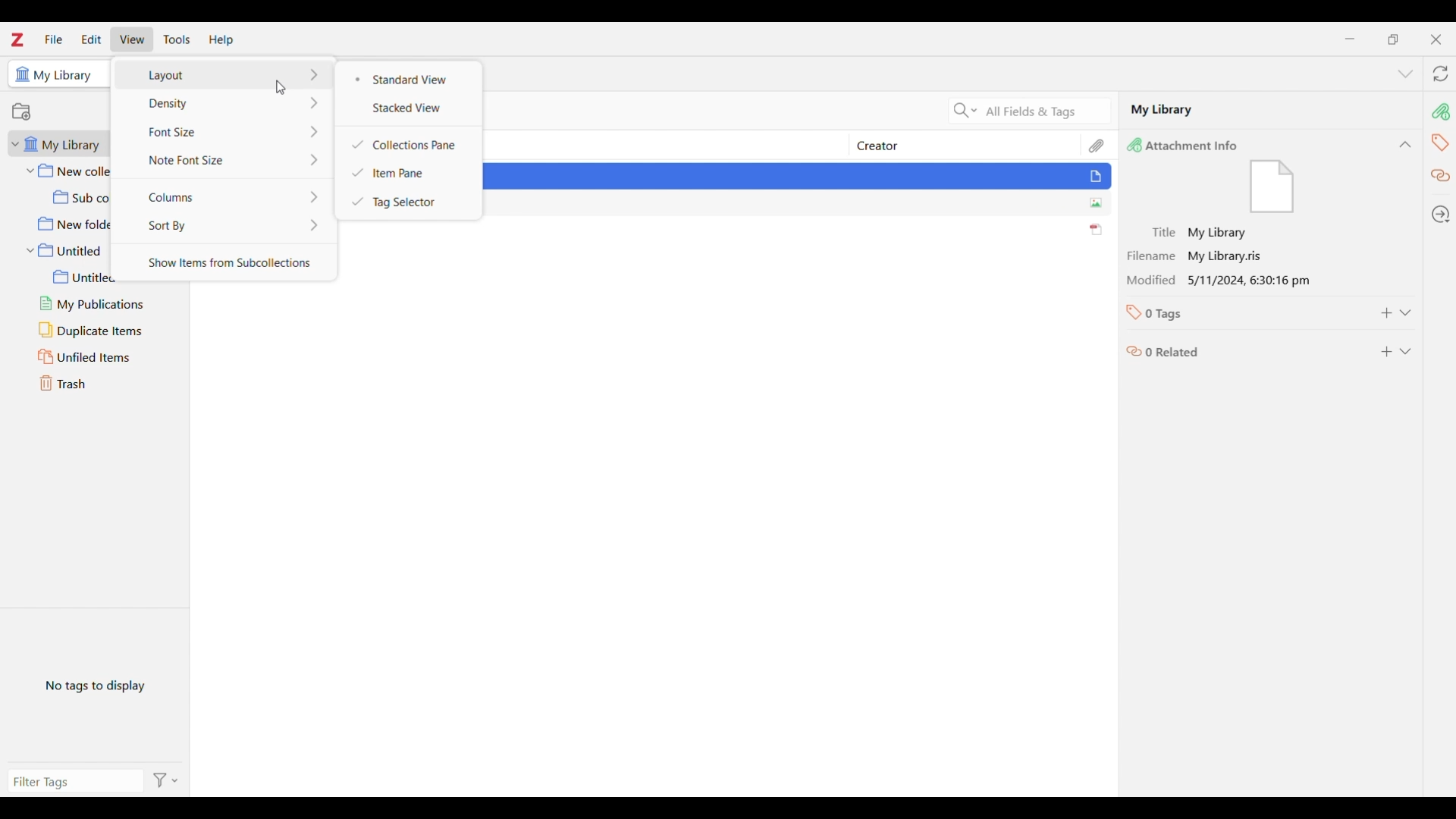  I want to click on Note font size options, so click(227, 159).